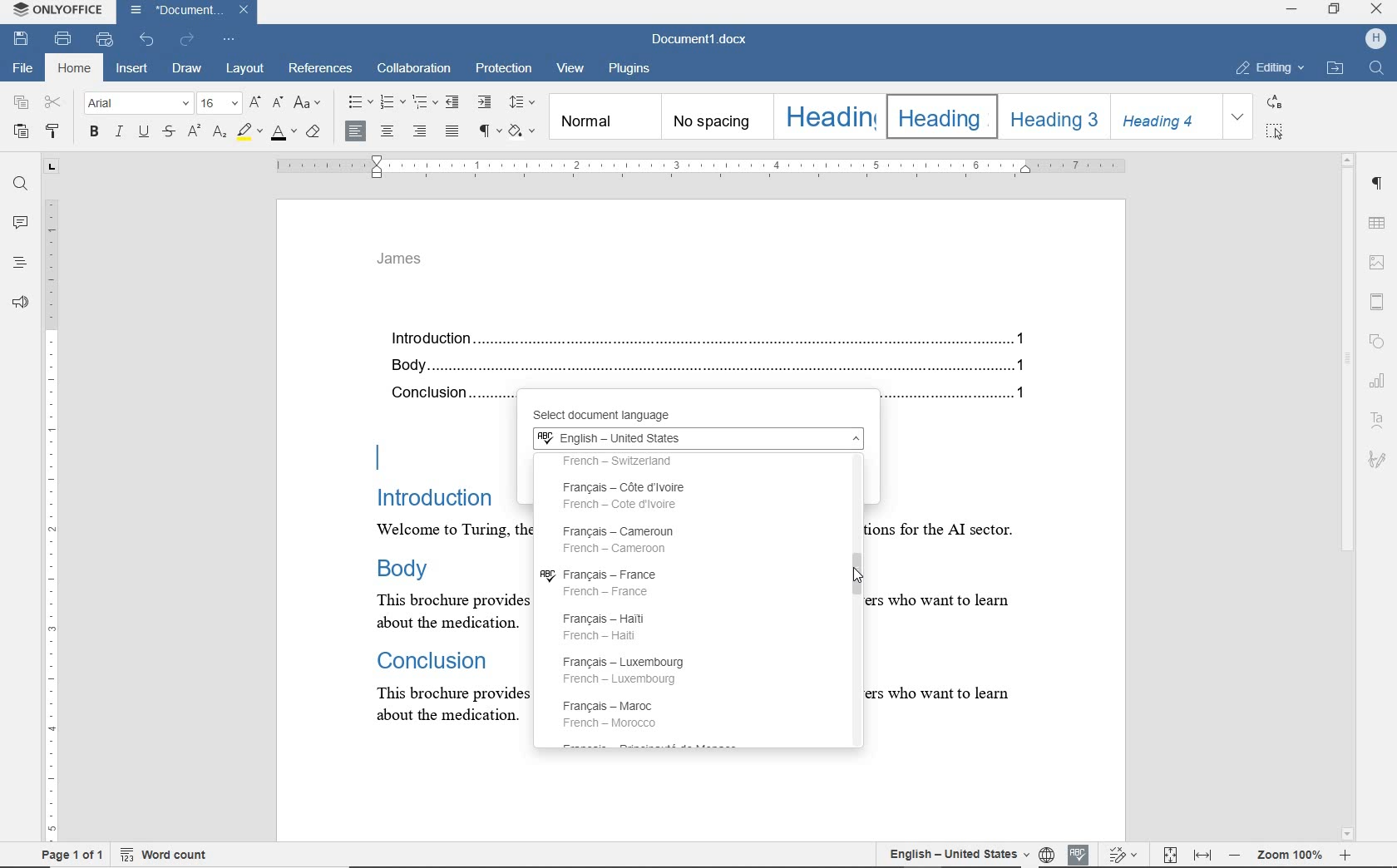 Image resolution: width=1397 pixels, height=868 pixels. What do you see at coordinates (504, 71) in the screenshot?
I see `protection` at bounding box center [504, 71].